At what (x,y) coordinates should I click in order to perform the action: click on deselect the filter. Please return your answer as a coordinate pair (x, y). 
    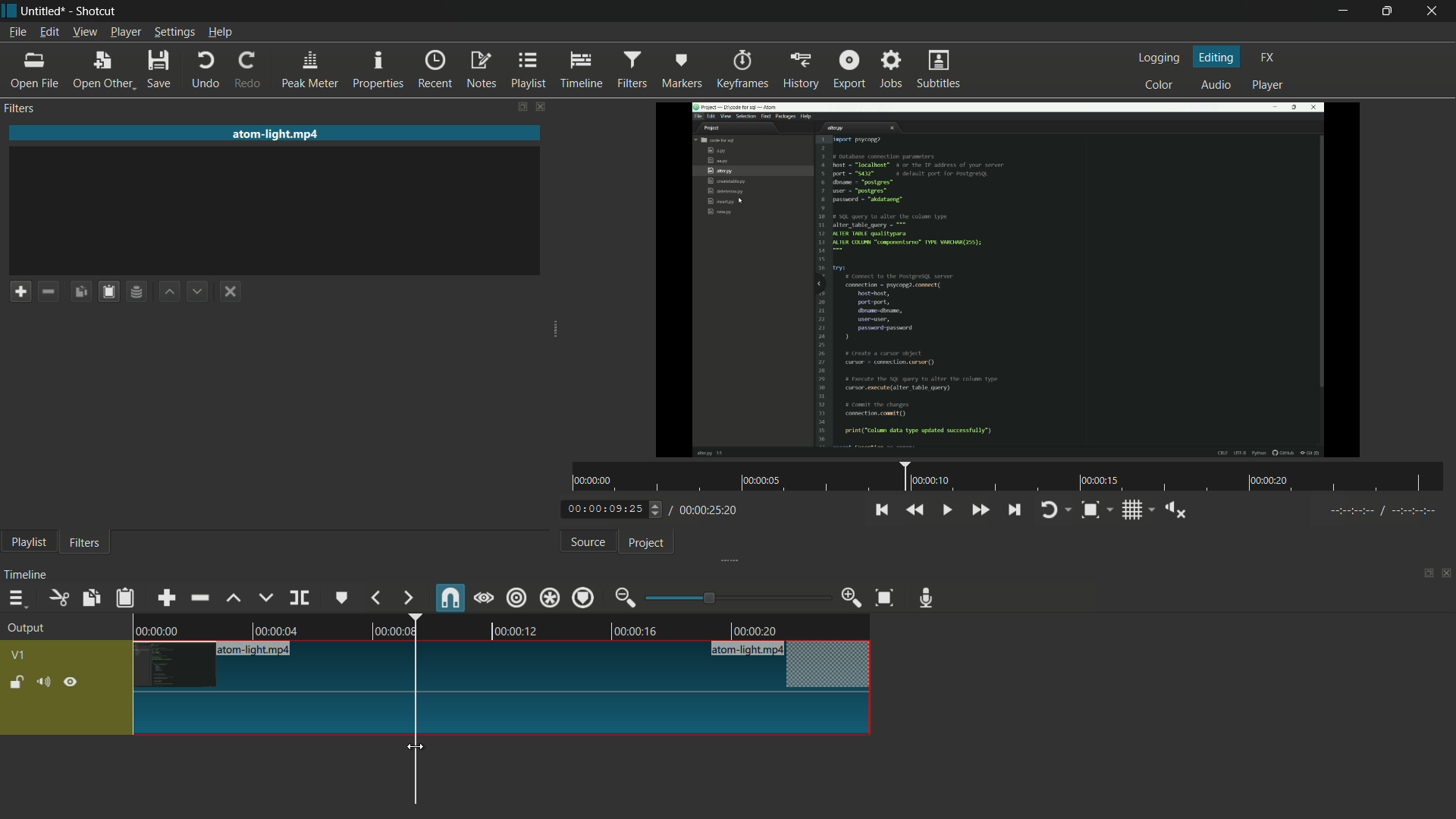
    Looking at the image, I should click on (234, 292).